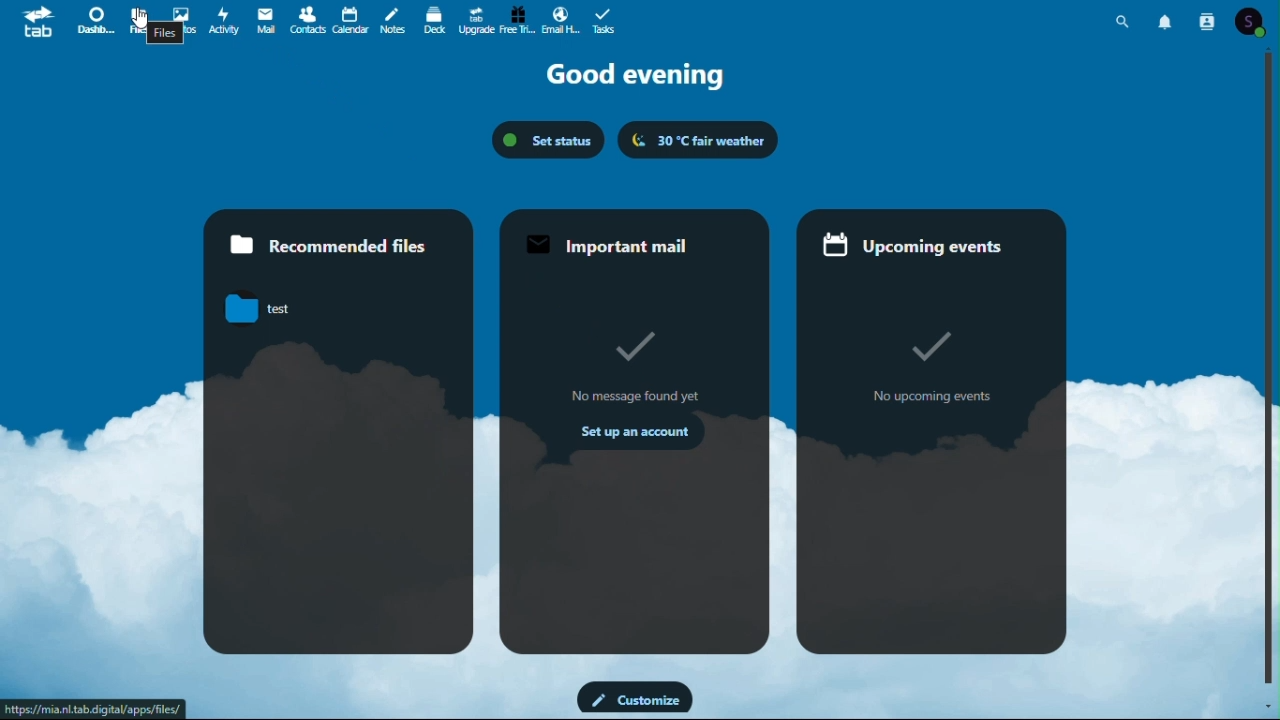  I want to click on vertical scroll bar, so click(1272, 373).